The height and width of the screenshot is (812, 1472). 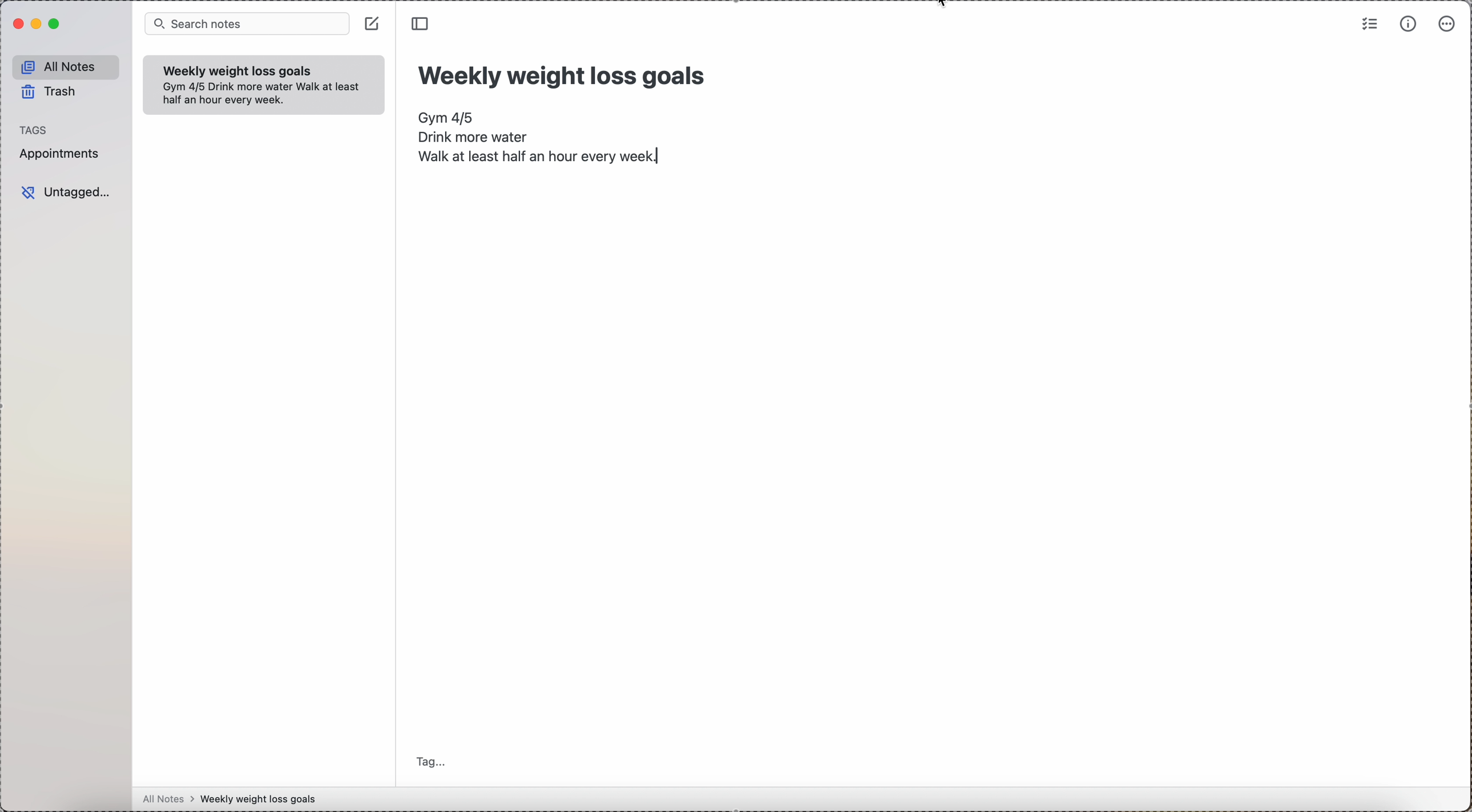 What do you see at coordinates (541, 158) in the screenshot?
I see `walk at least half an hour every week` at bounding box center [541, 158].